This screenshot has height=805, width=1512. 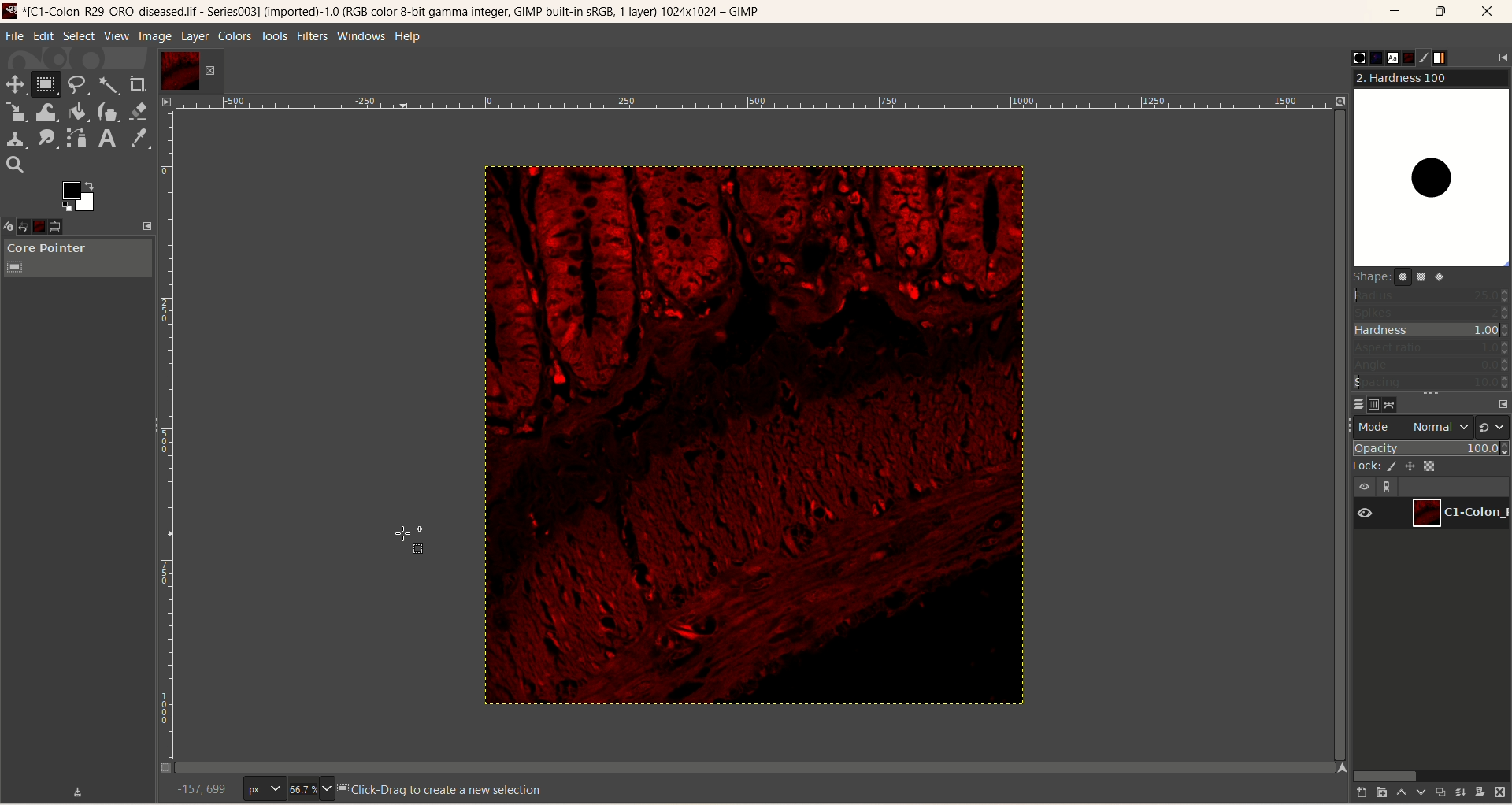 I want to click on expand, so click(x=148, y=225).